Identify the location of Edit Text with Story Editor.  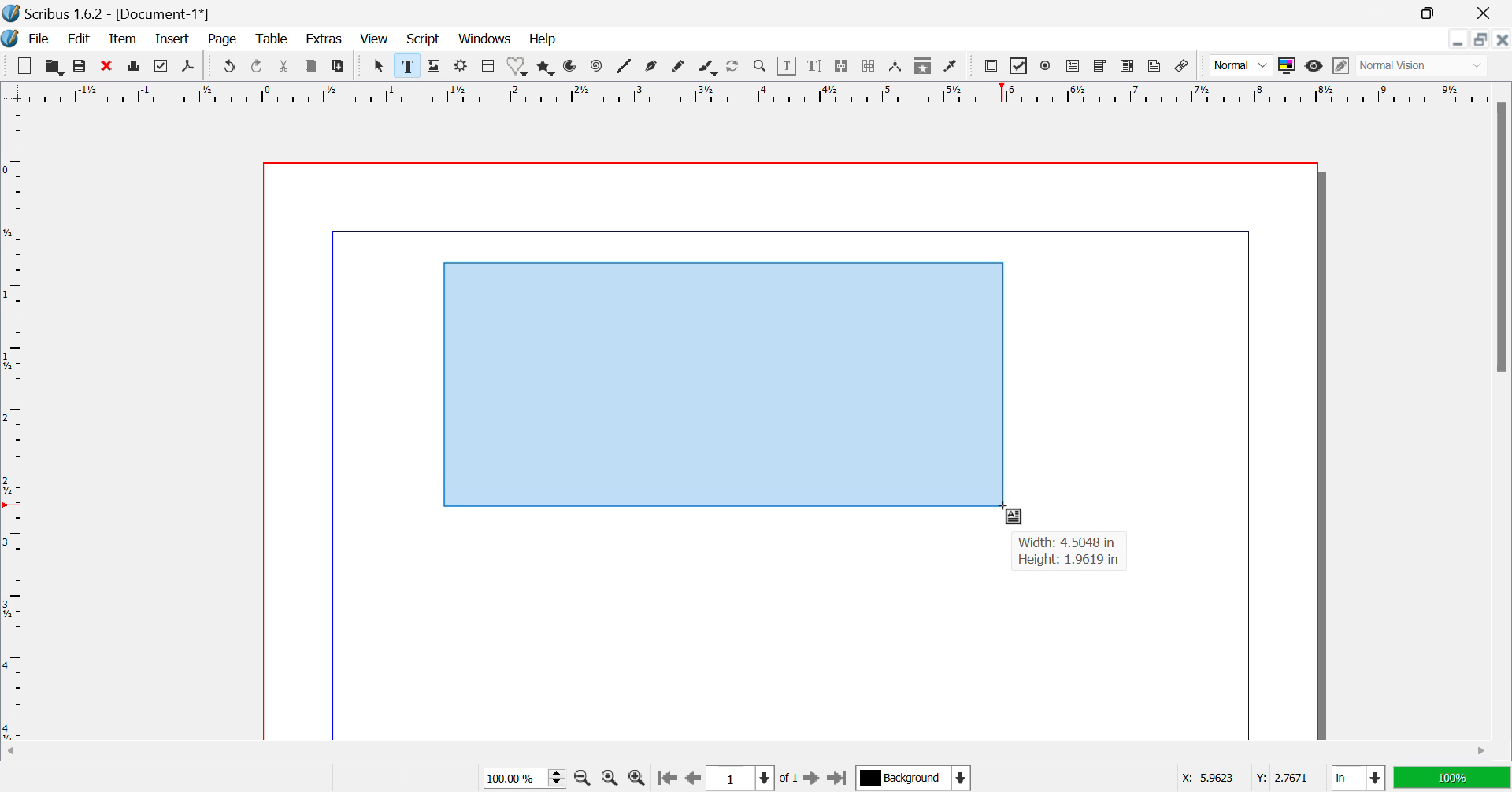
(816, 68).